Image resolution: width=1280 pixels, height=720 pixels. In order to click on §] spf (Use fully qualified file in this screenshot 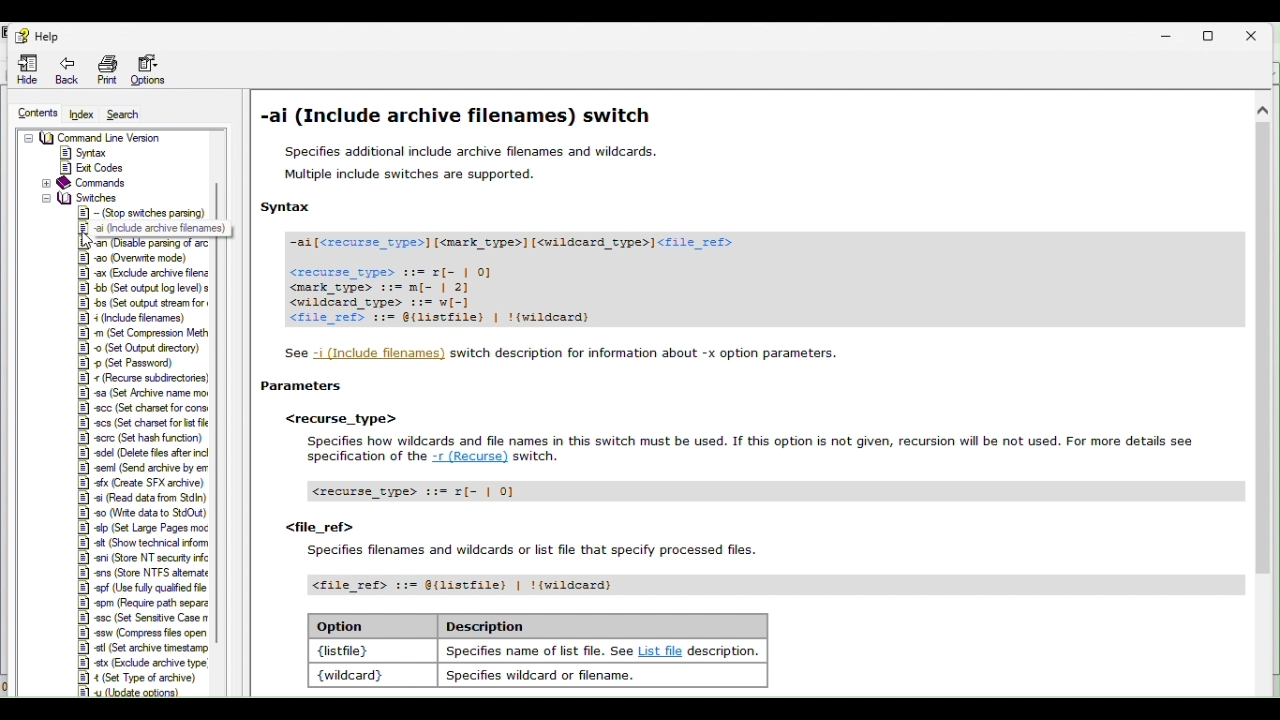, I will do `click(143, 587)`.